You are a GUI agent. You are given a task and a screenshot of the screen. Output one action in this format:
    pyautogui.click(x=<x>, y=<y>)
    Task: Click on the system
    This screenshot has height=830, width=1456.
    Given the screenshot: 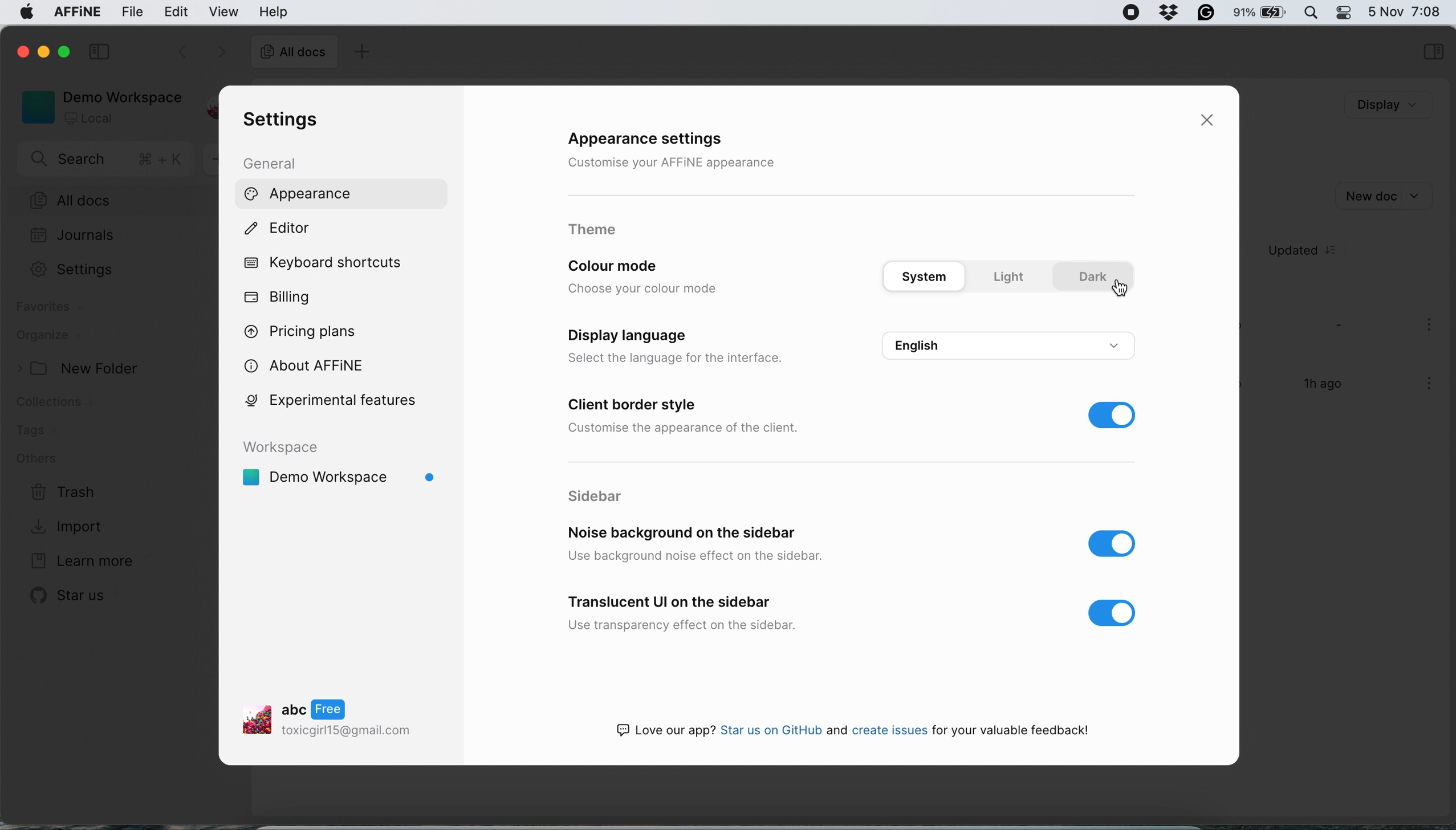 What is the action you would take?
    pyautogui.click(x=929, y=275)
    